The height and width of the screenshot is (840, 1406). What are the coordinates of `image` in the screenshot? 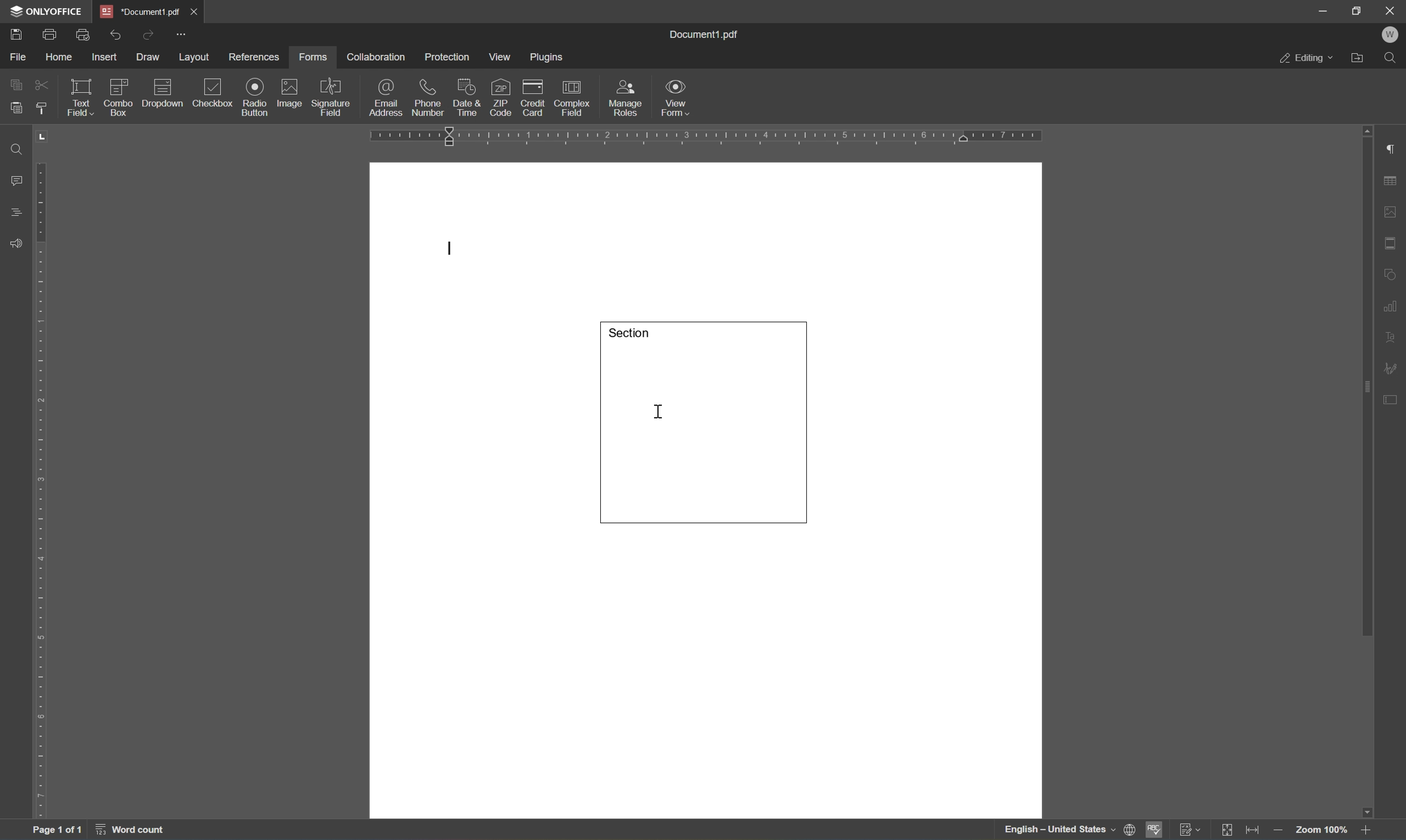 It's located at (290, 93).